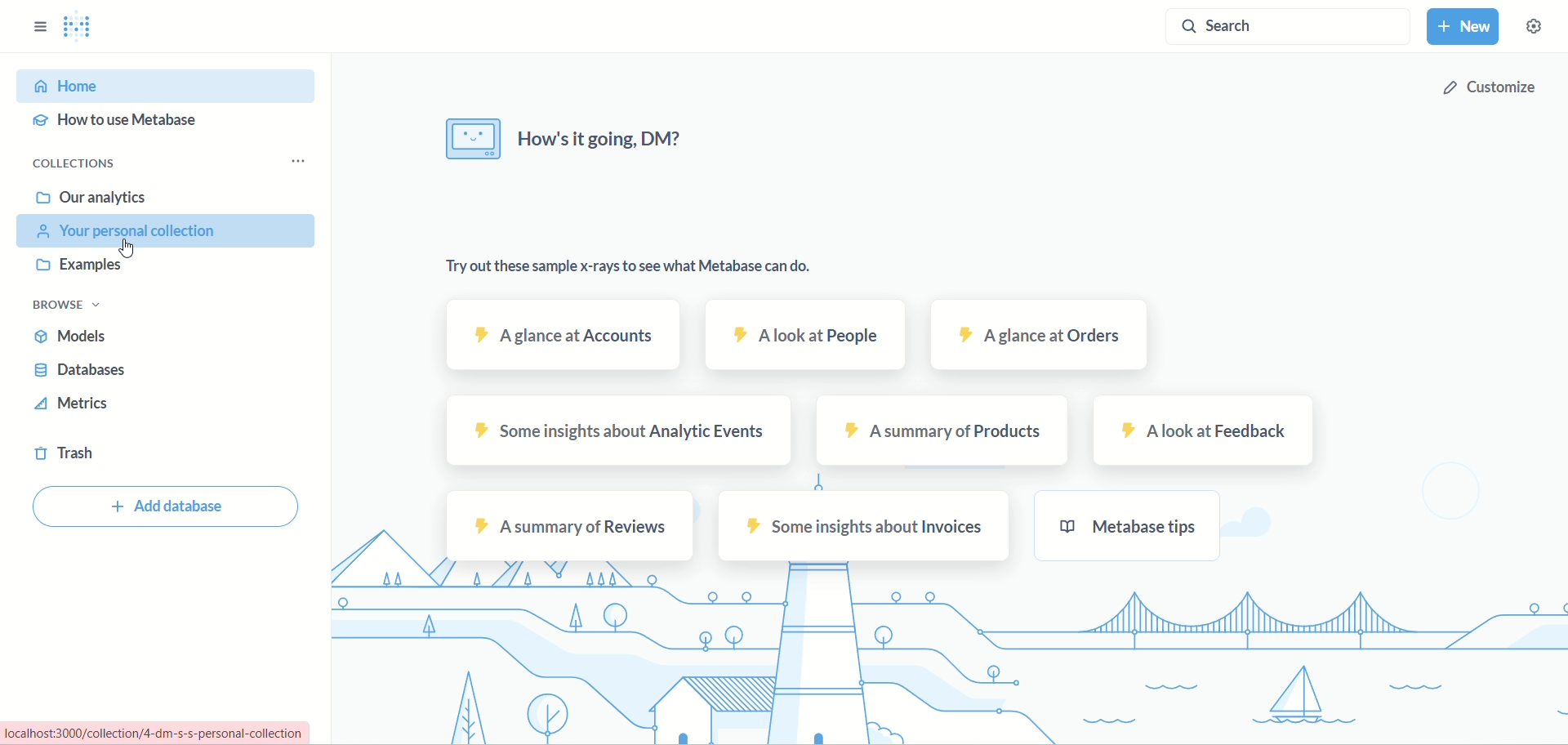 The image size is (1568, 745). What do you see at coordinates (621, 268) in the screenshot?
I see `Try out these sample x-rays to see what Metabase can do.` at bounding box center [621, 268].